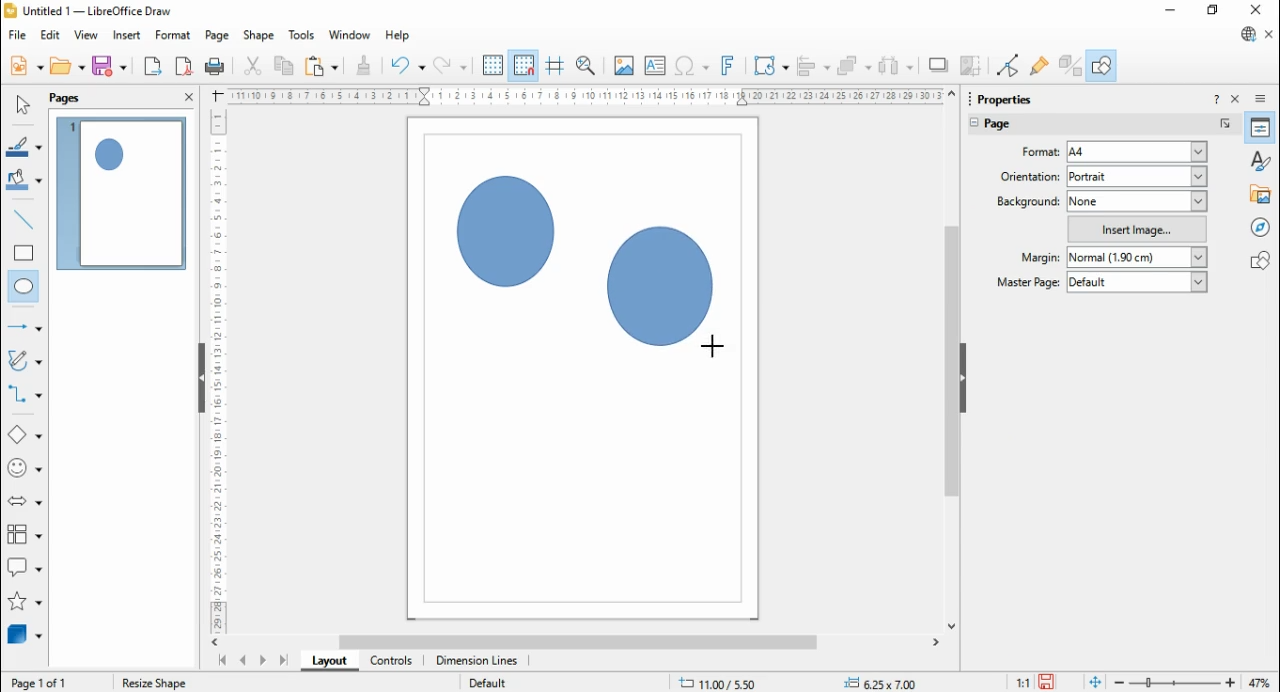 The height and width of the screenshot is (692, 1280). Describe the element at coordinates (364, 65) in the screenshot. I see `clone formatting` at that location.